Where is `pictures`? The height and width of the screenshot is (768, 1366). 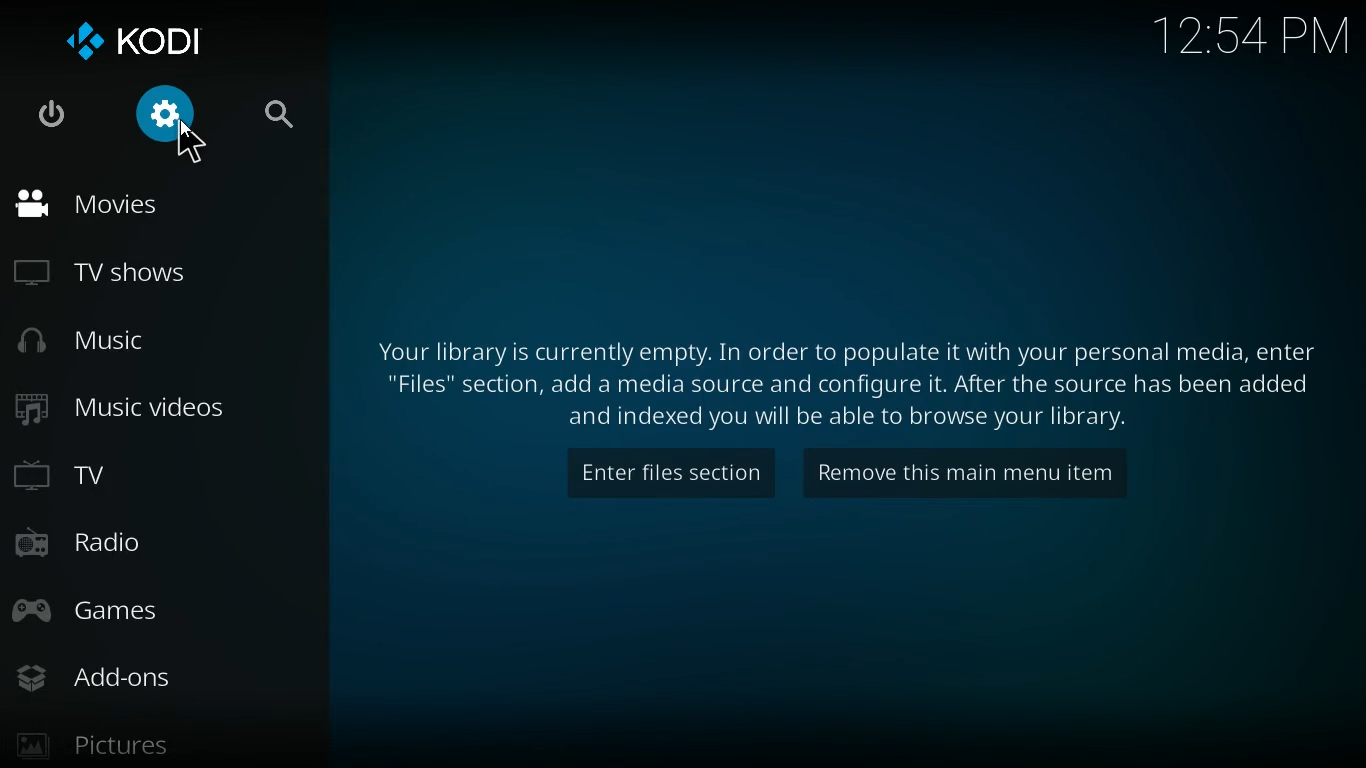 pictures is located at coordinates (146, 741).